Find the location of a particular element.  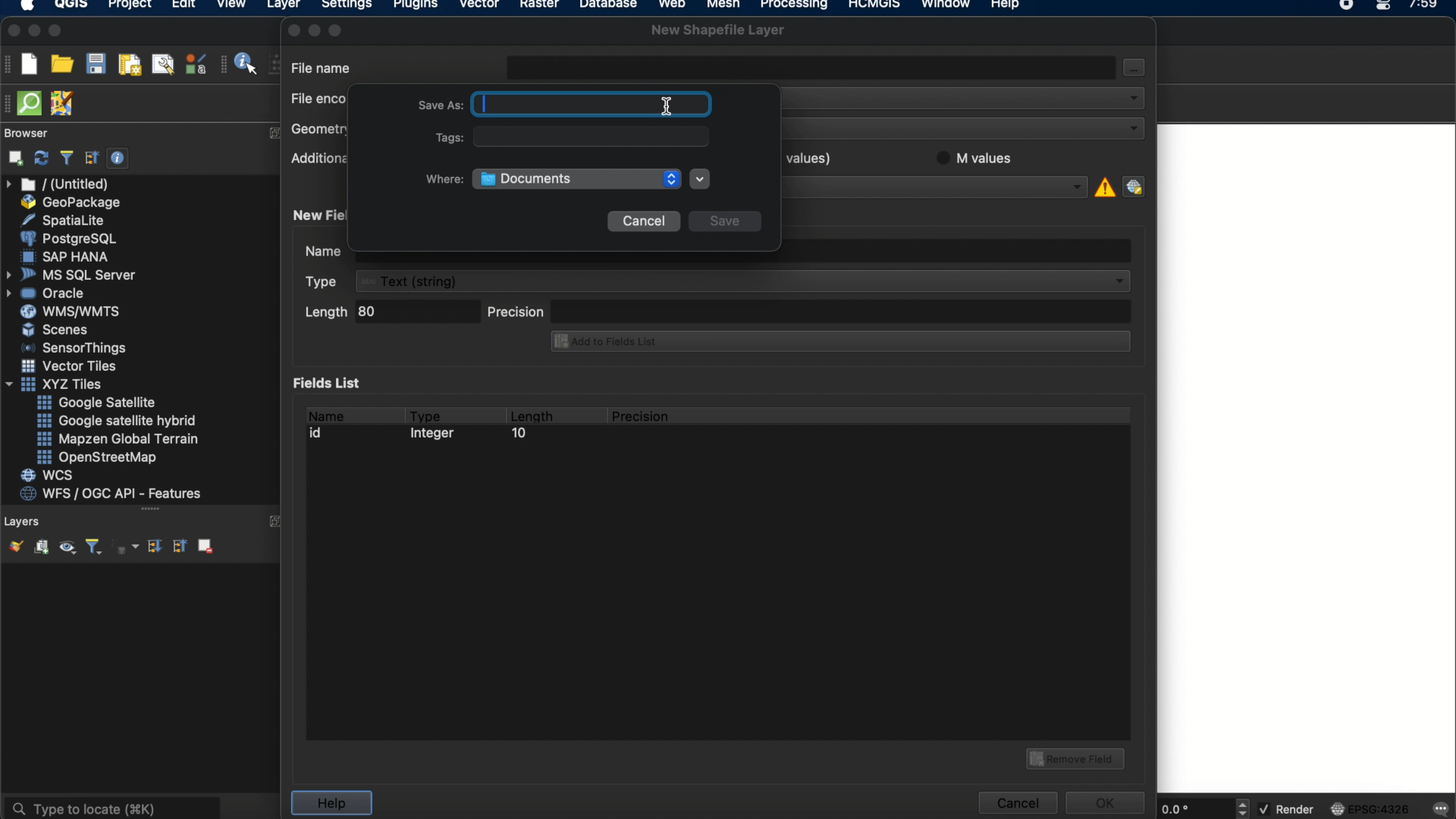

collapse all is located at coordinates (178, 545).